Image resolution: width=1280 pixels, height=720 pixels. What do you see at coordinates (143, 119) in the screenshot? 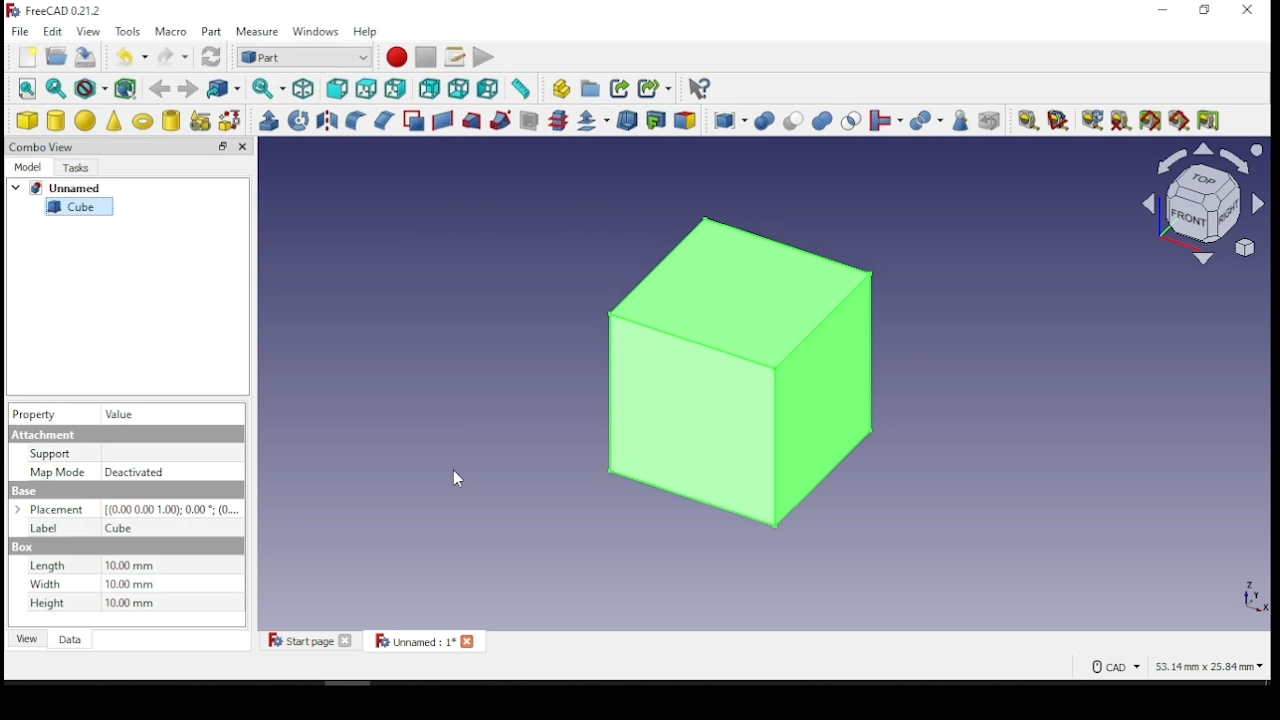
I see `torus` at bounding box center [143, 119].